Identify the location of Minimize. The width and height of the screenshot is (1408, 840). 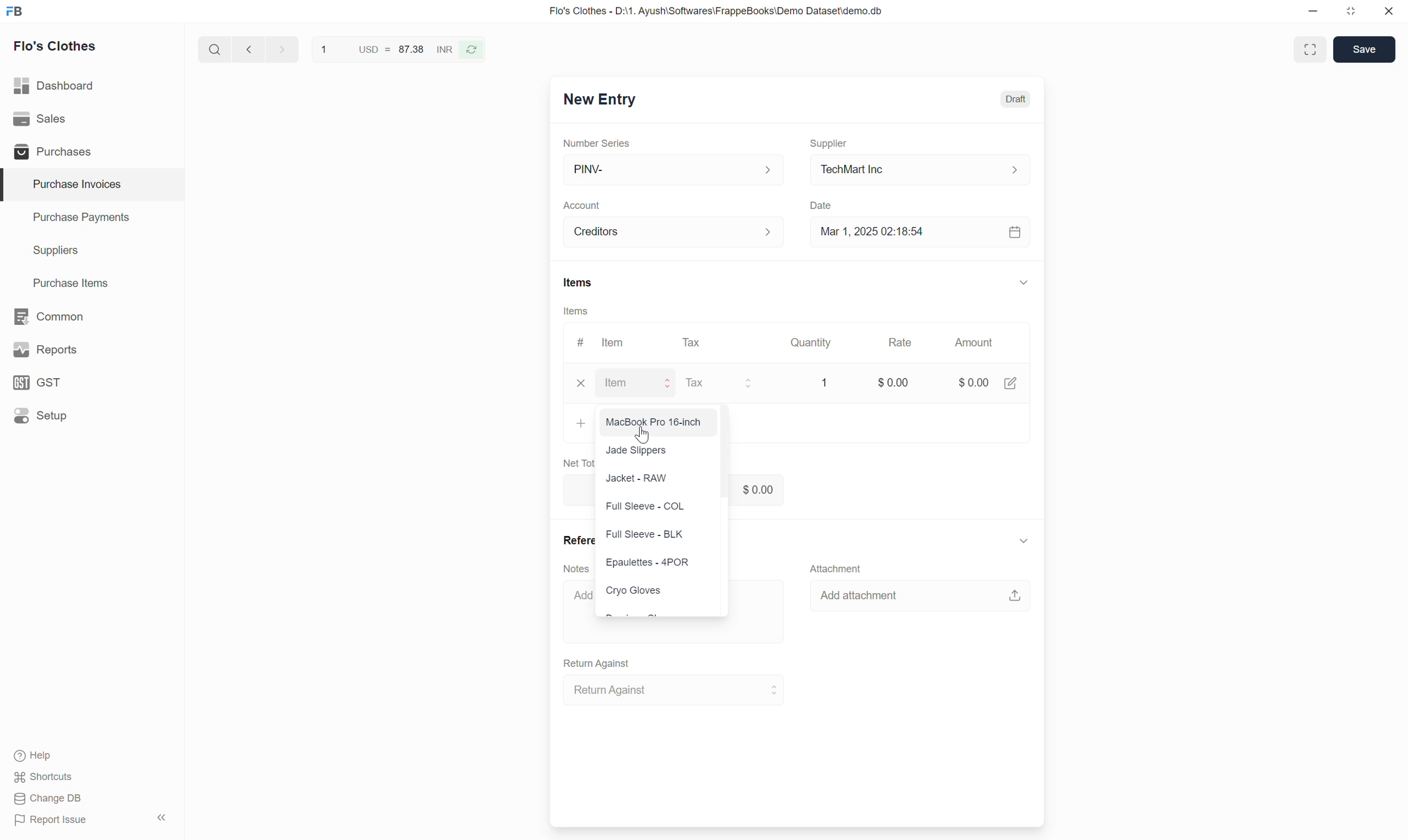
(1313, 11).